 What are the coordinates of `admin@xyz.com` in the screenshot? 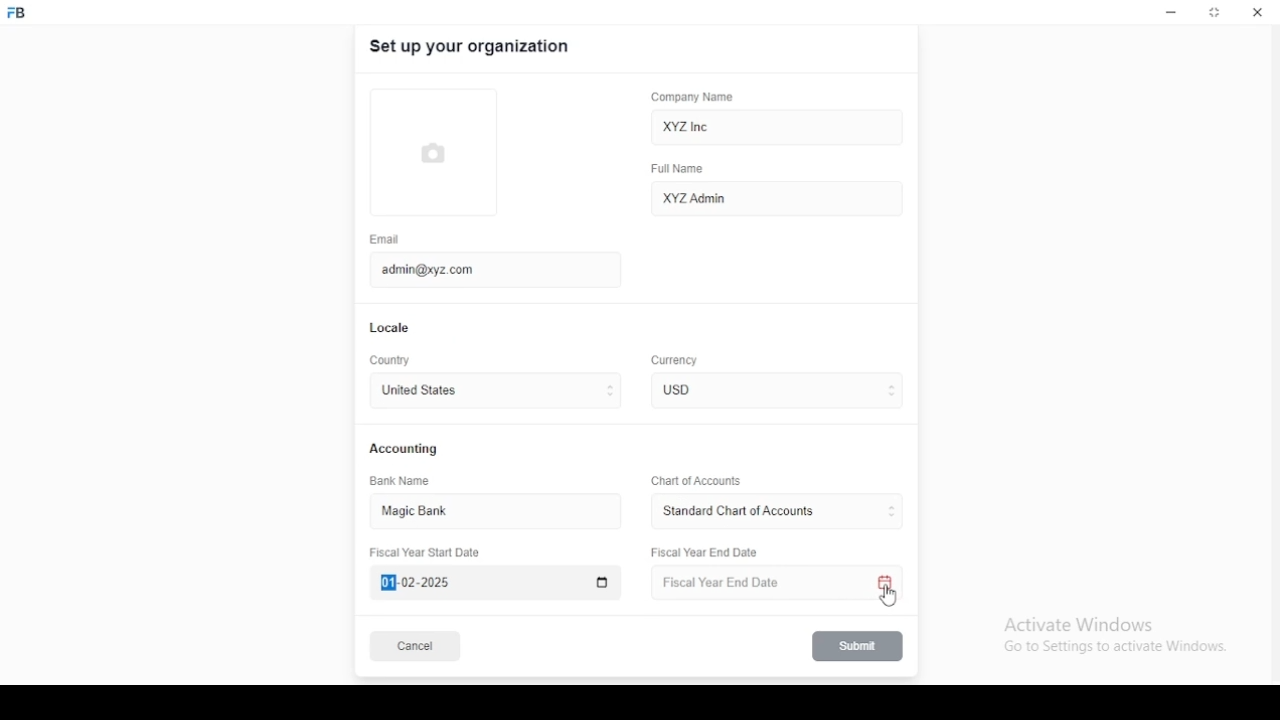 It's located at (485, 268).